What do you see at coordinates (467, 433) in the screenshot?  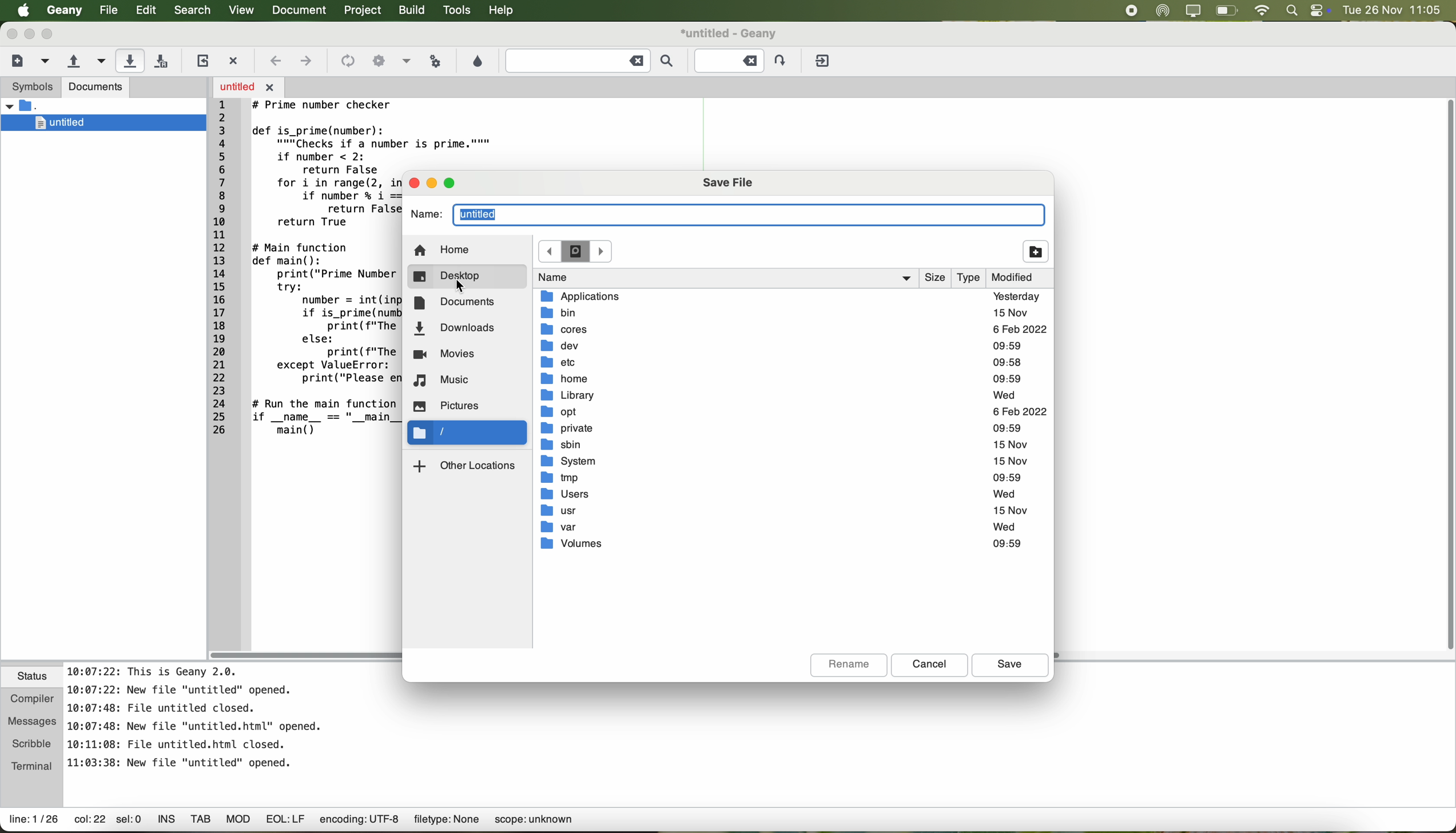 I see `location folder` at bounding box center [467, 433].